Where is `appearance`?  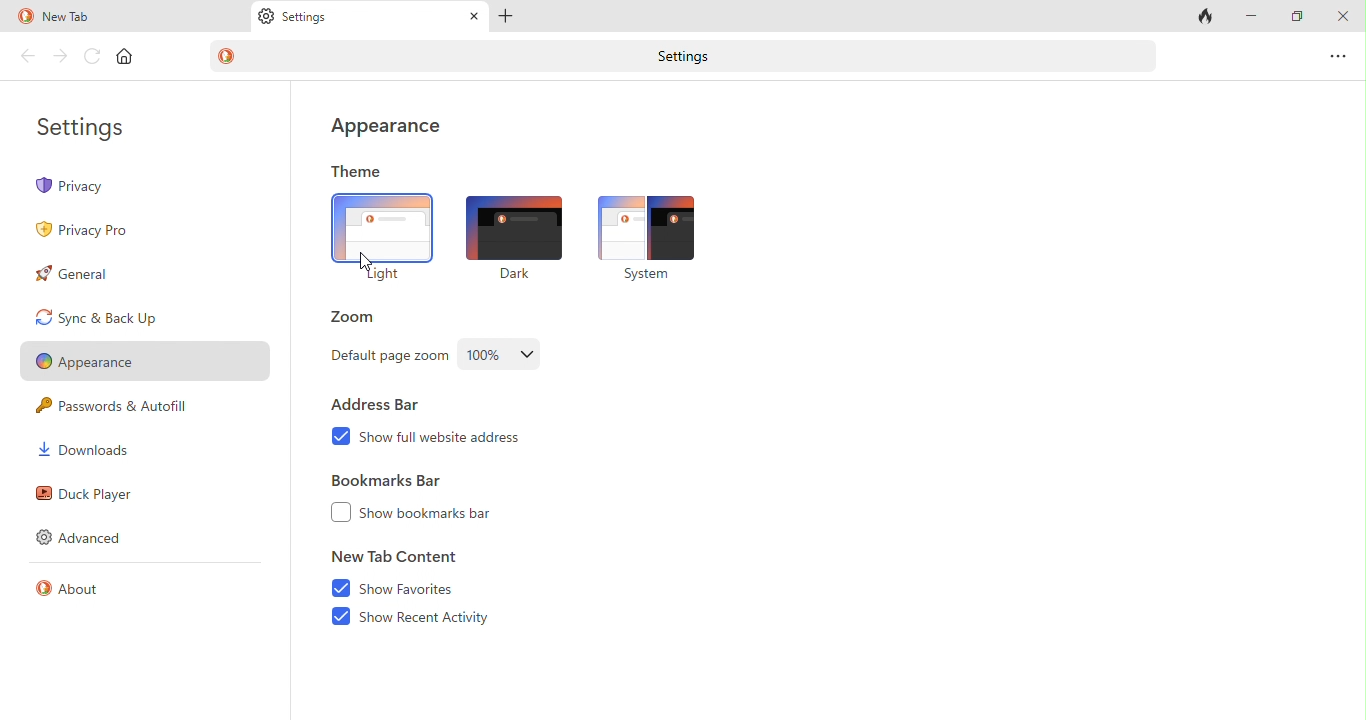 appearance is located at coordinates (148, 359).